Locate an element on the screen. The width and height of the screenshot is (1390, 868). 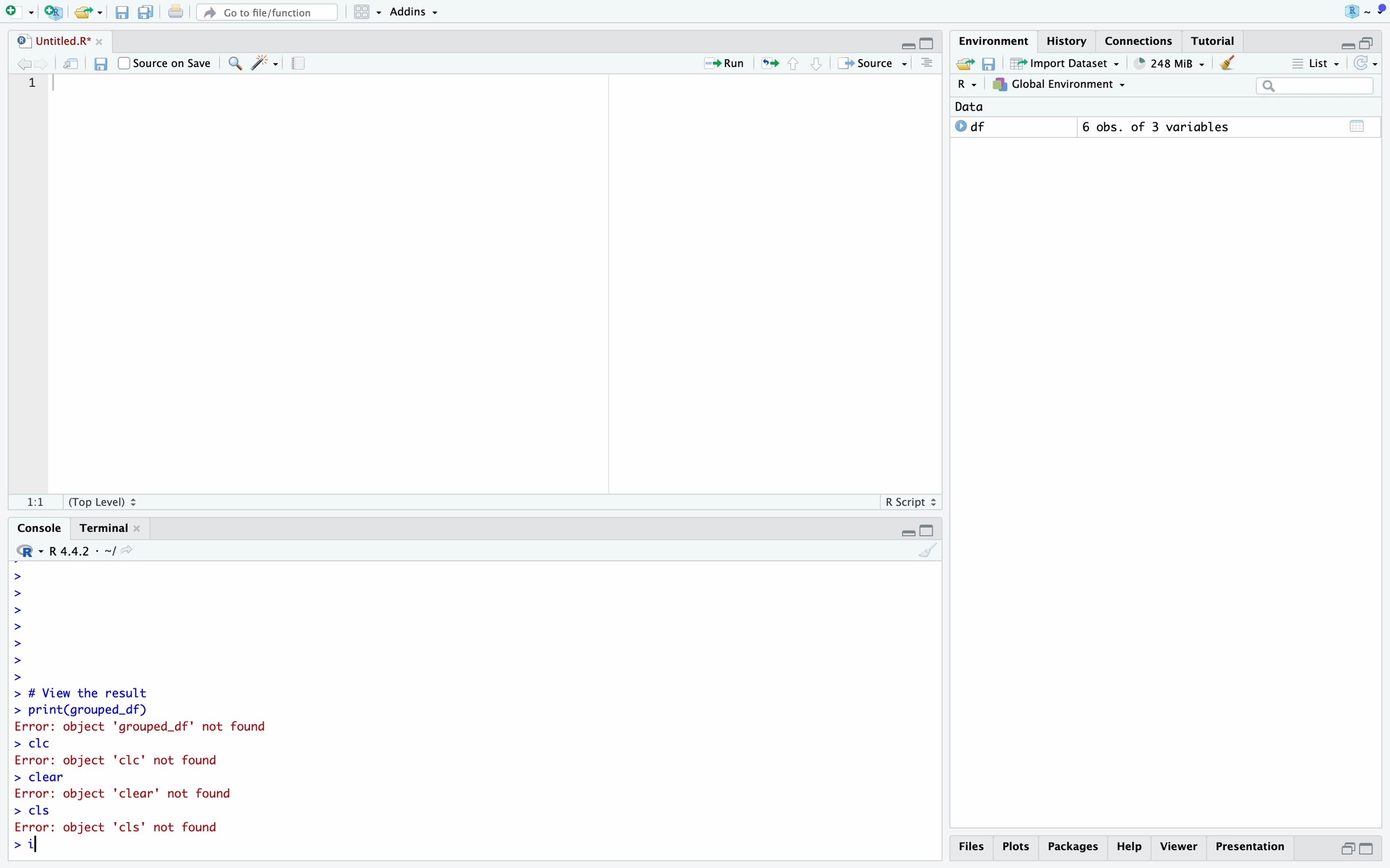
Workspace panes is located at coordinates (365, 13).